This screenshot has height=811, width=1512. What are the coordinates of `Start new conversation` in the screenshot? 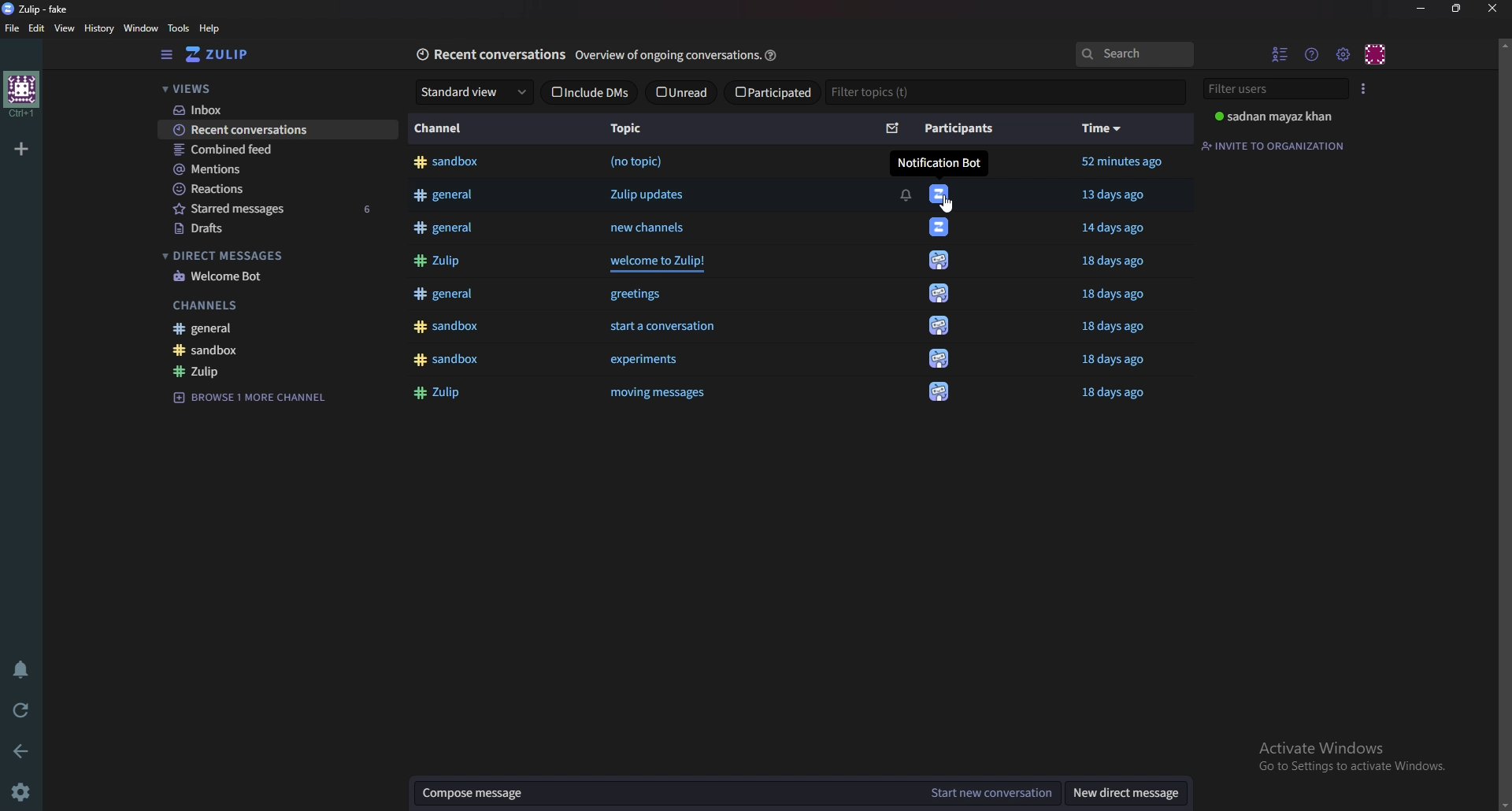 It's located at (989, 793).